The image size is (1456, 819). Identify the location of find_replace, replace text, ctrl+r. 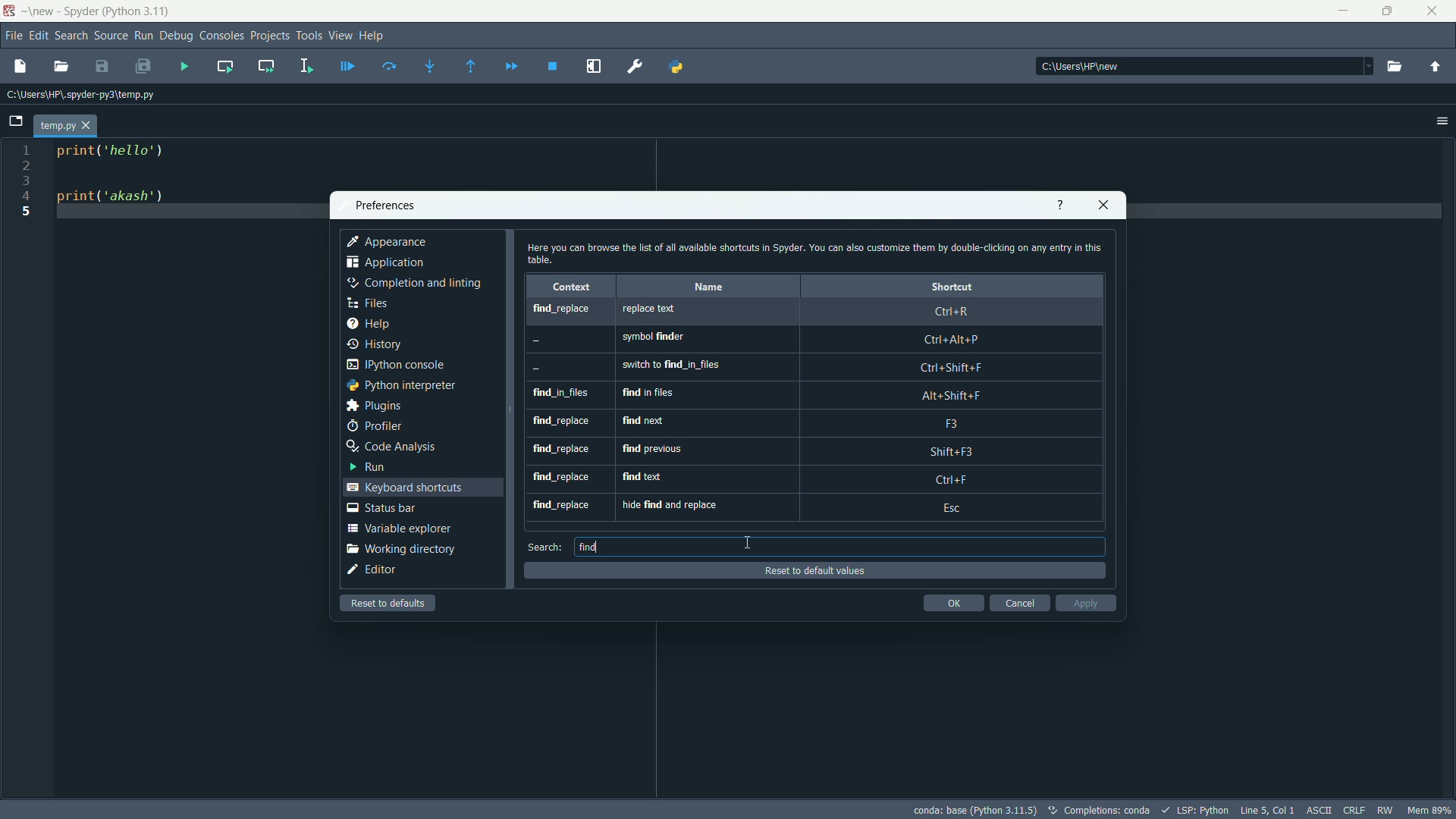
(802, 312).